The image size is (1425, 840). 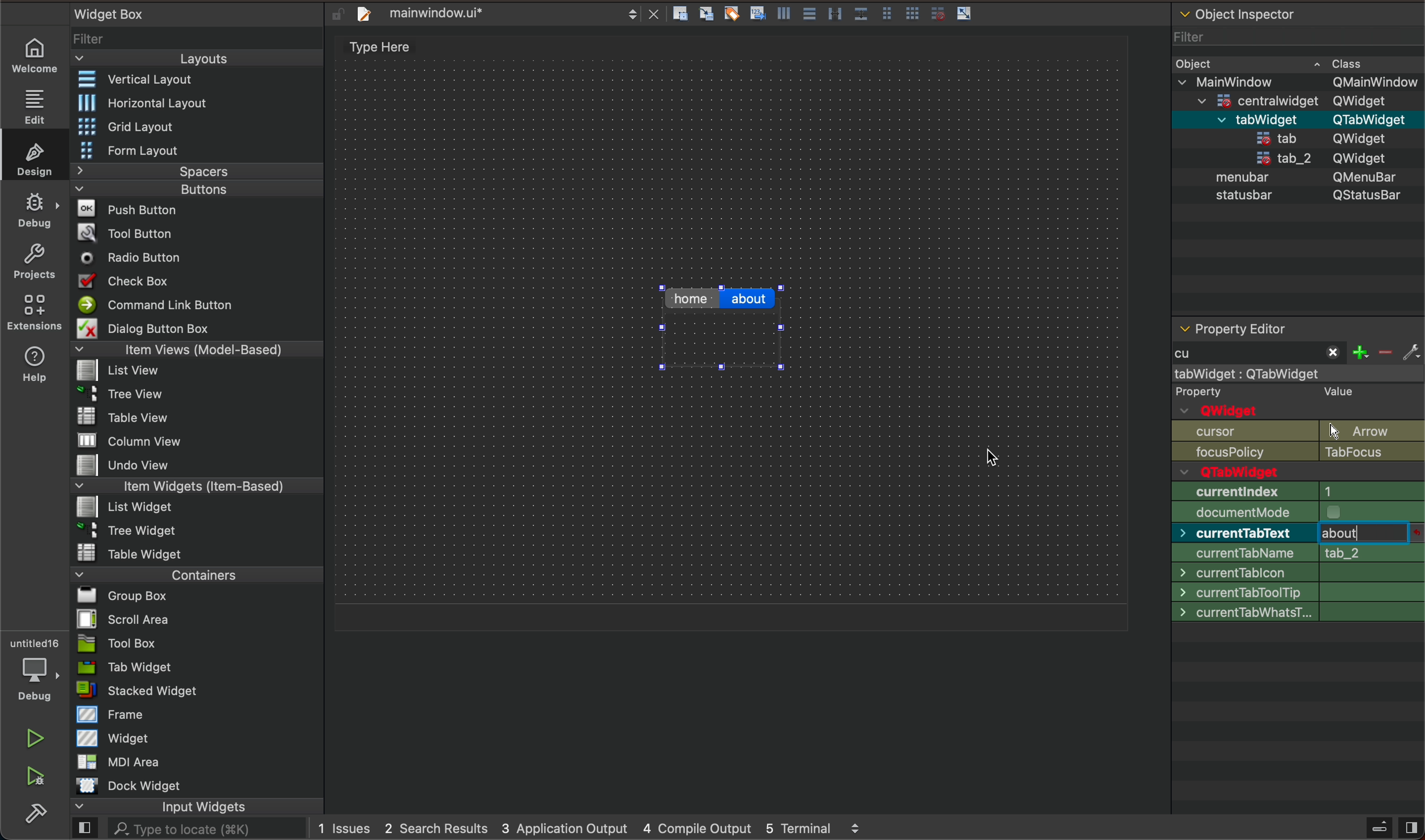 What do you see at coordinates (1364, 532) in the screenshot?
I see `before typing` at bounding box center [1364, 532].